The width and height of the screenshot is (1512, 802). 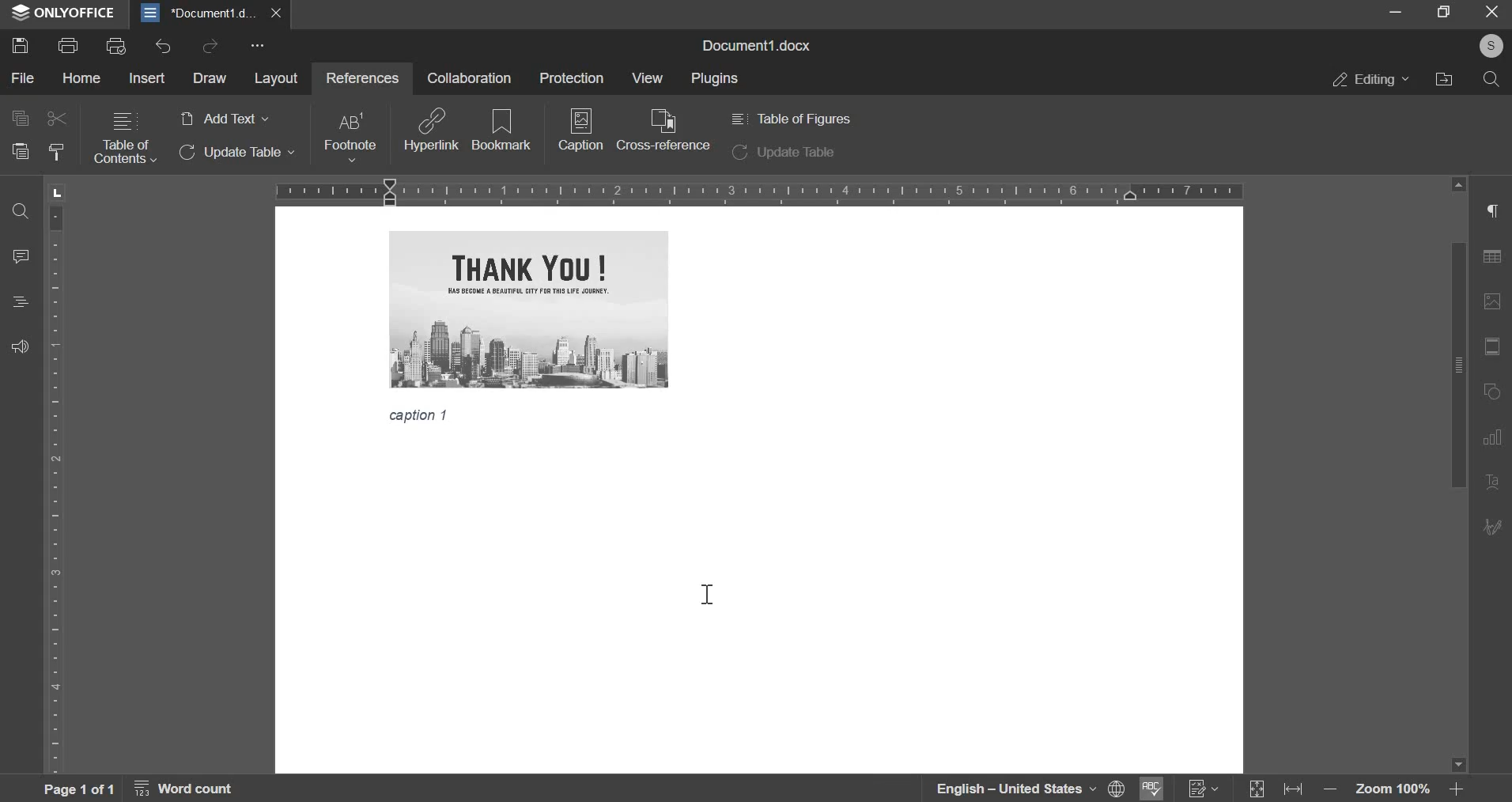 What do you see at coordinates (56, 153) in the screenshot?
I see `clear style` at bounding box center [56, 153].